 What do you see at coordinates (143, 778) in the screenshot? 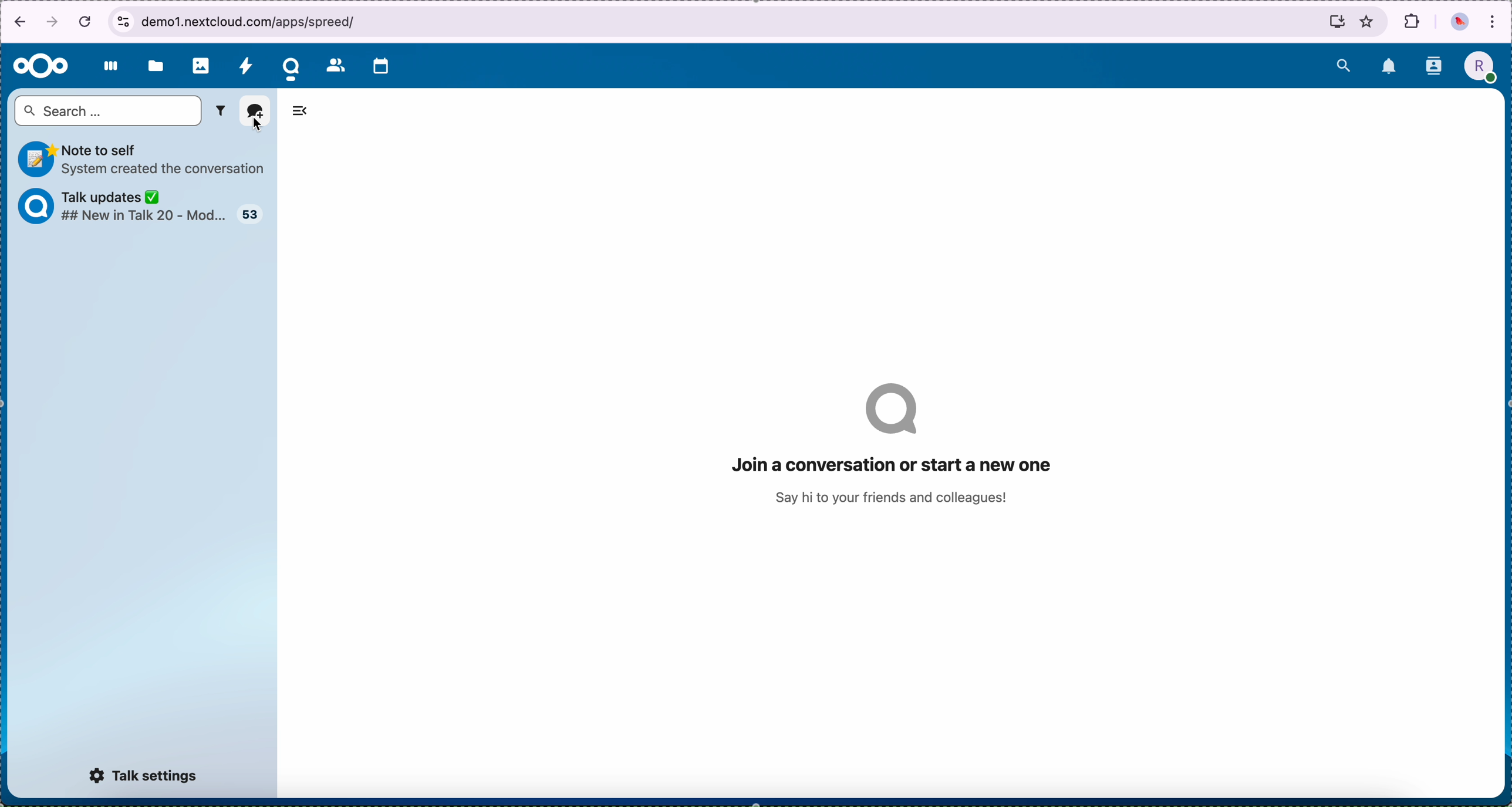
I see `talk settings` at bounding box center [143, 778].